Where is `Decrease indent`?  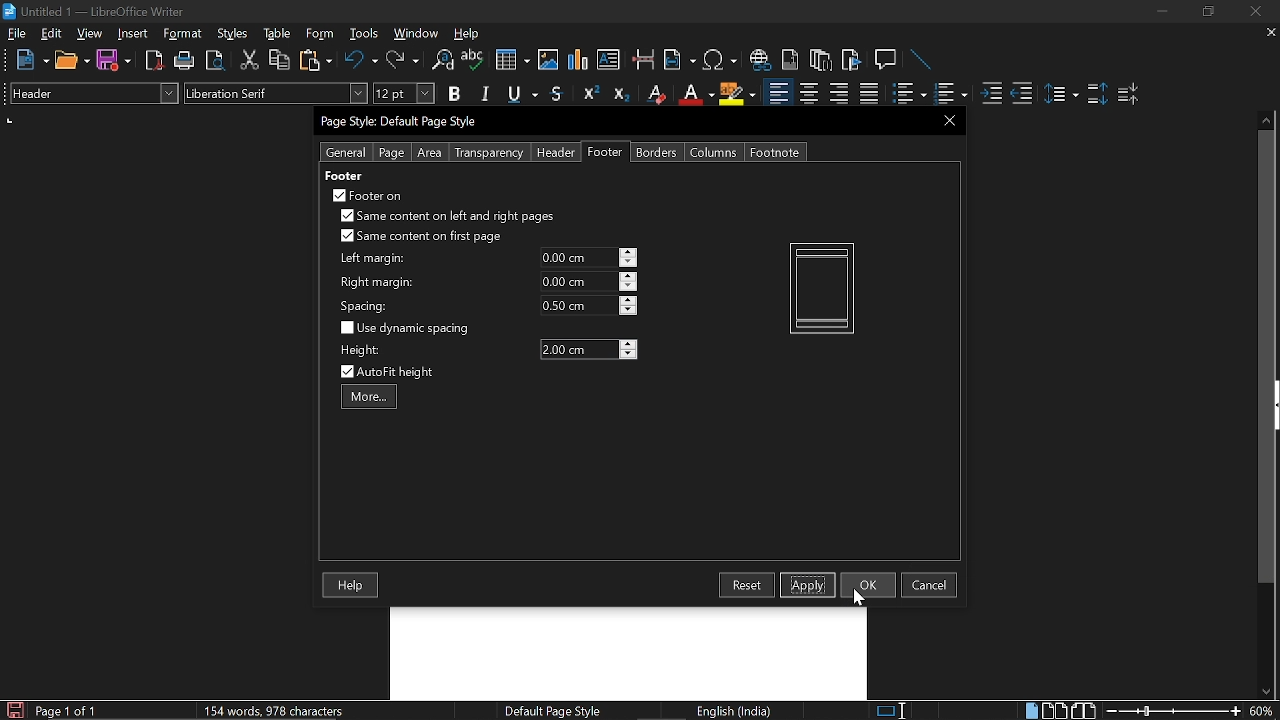
Decrease indent is located at coordinates (1022, 93).